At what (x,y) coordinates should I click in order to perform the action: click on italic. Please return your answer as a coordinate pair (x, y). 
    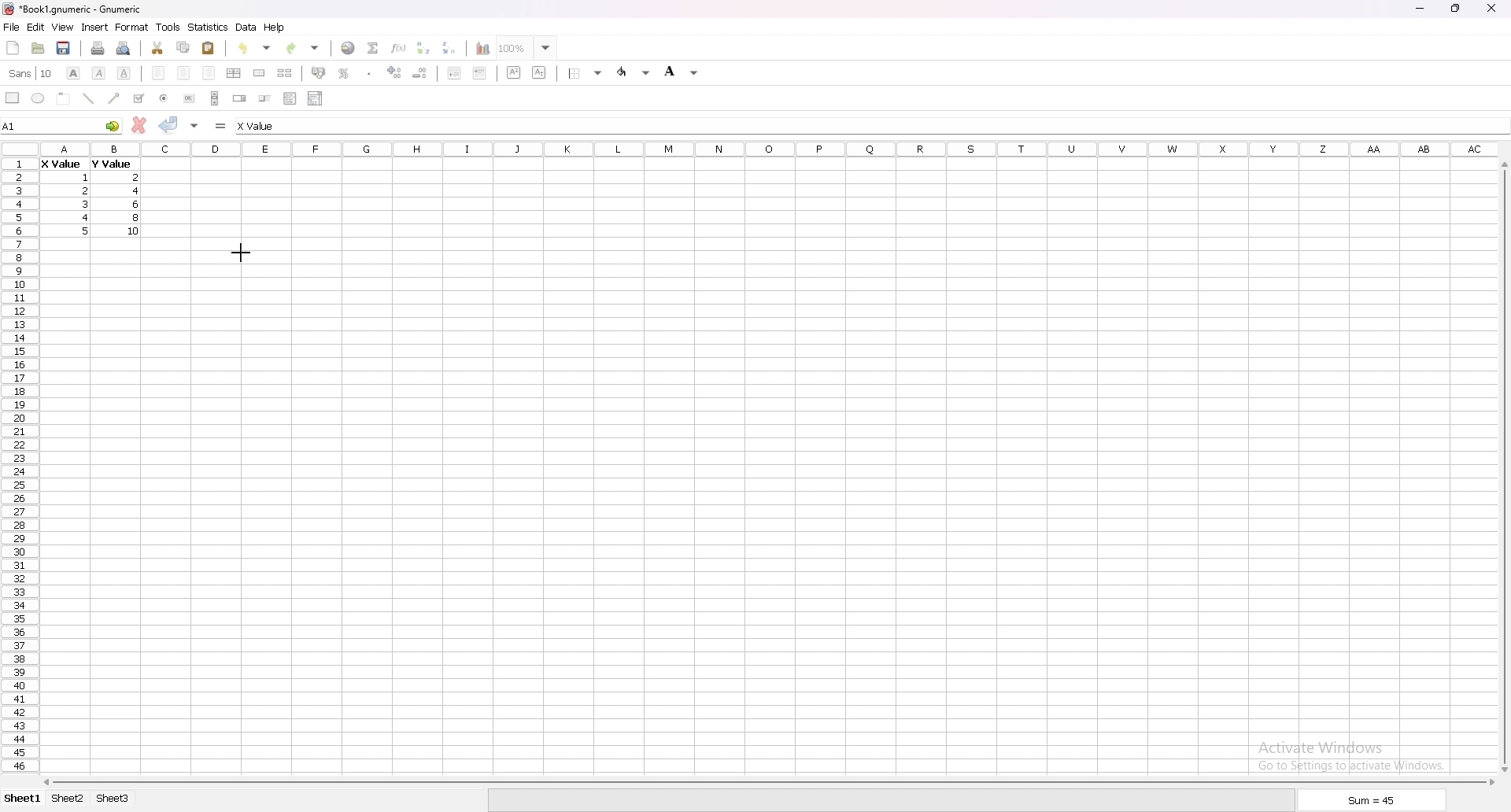
    Looking at the image, I should click on (100, 72).